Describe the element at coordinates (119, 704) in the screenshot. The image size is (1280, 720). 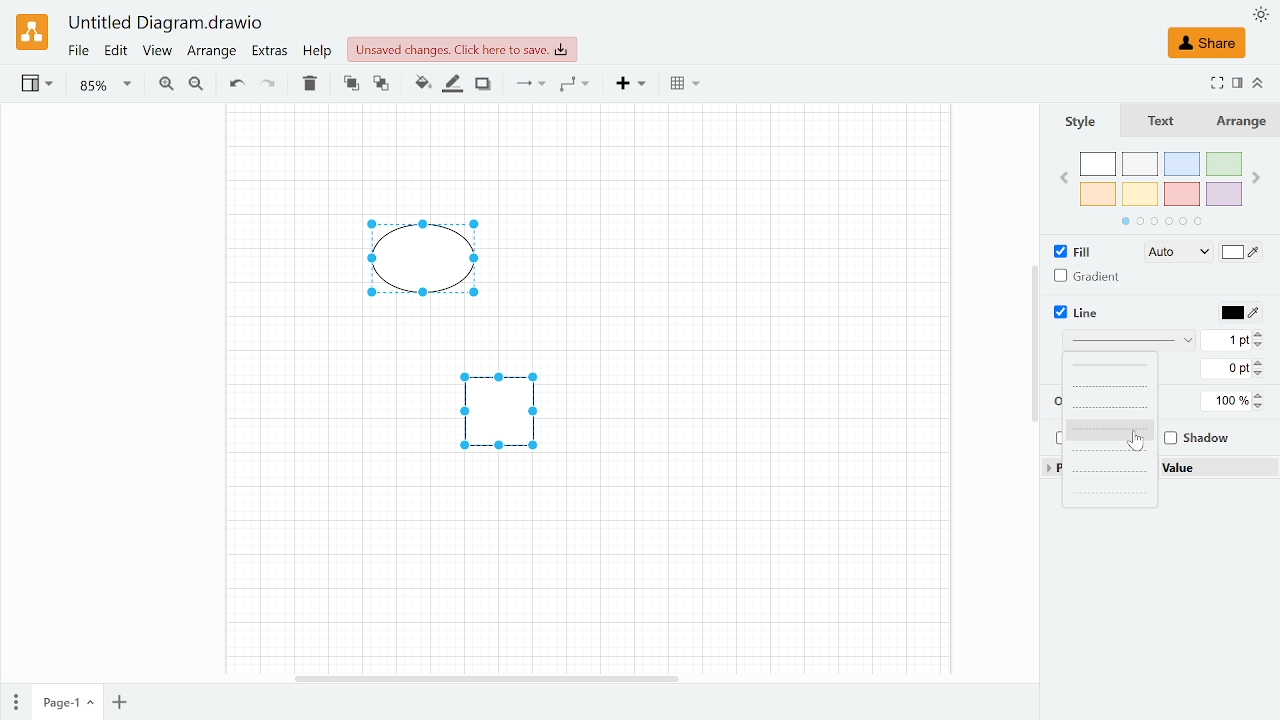
I see `Add oage` at that location.